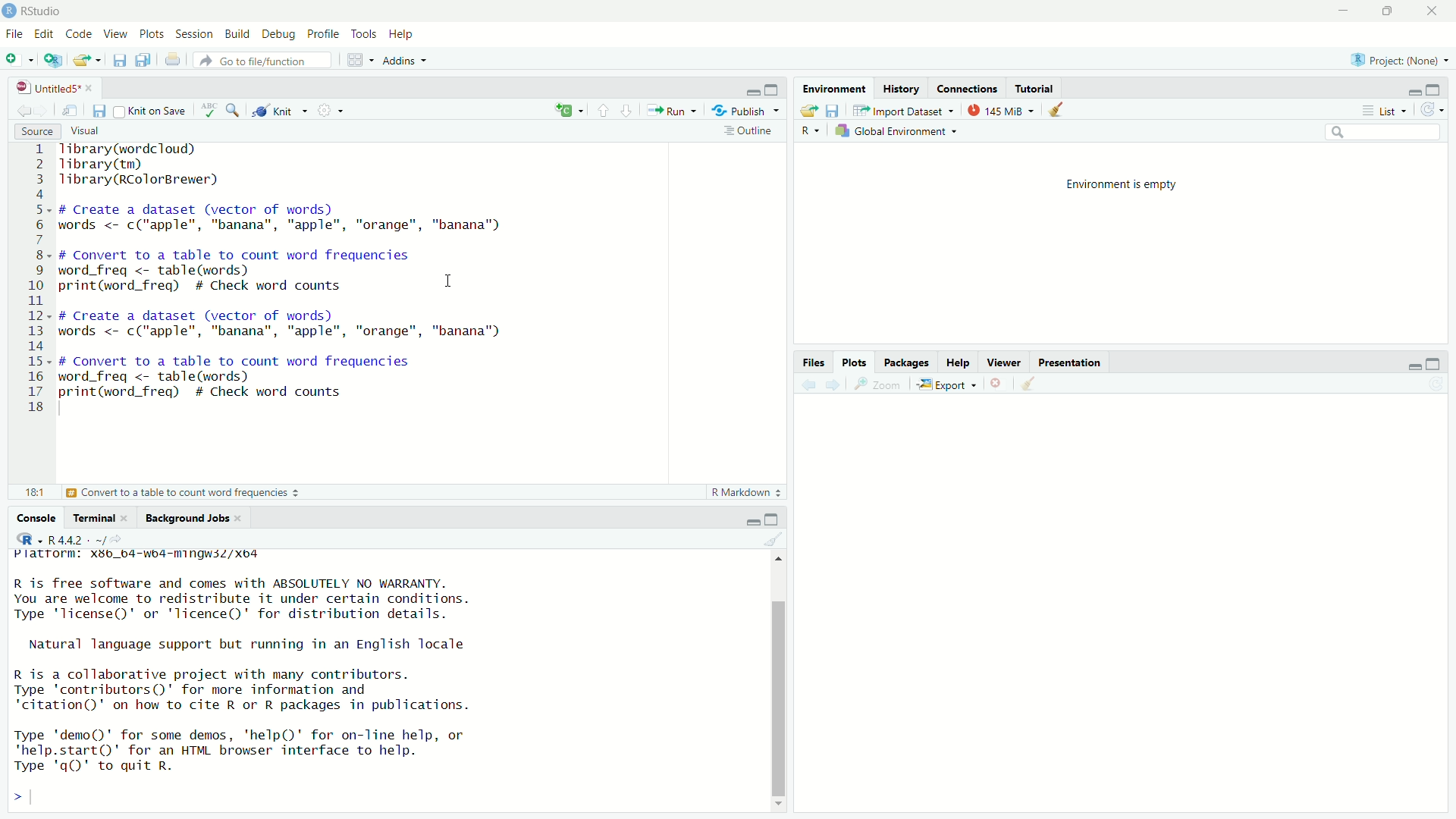  What do you see at coordinates (895, 133) in the screenshot?
I see `Global Environment` at bounding box center [895, 133].